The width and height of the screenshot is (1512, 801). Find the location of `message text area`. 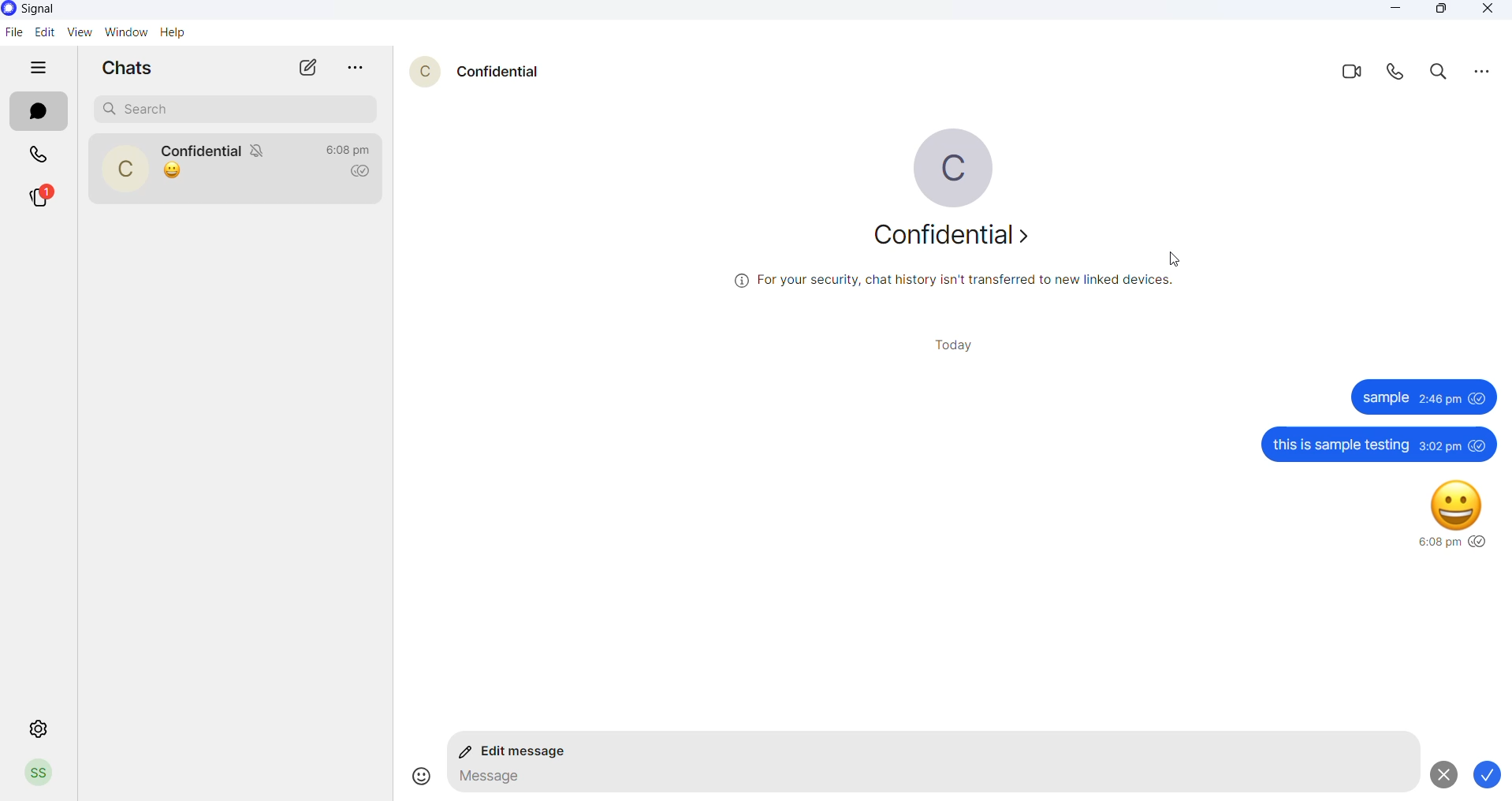

message text area is located at coordinates (926, 781).